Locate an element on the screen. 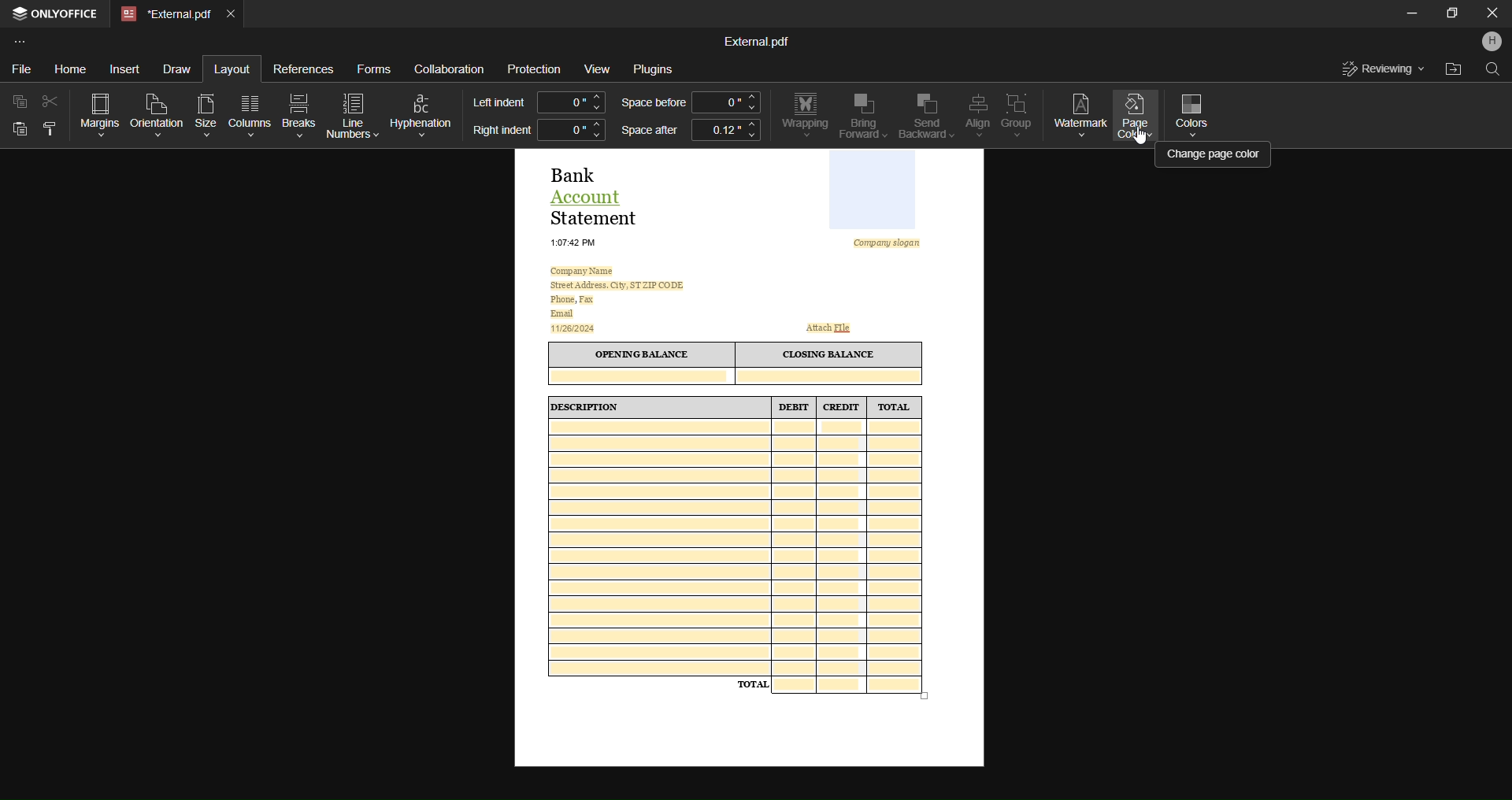 This screenshot has height=800, width=1512. Groups is located at coordinates (1017, 115).